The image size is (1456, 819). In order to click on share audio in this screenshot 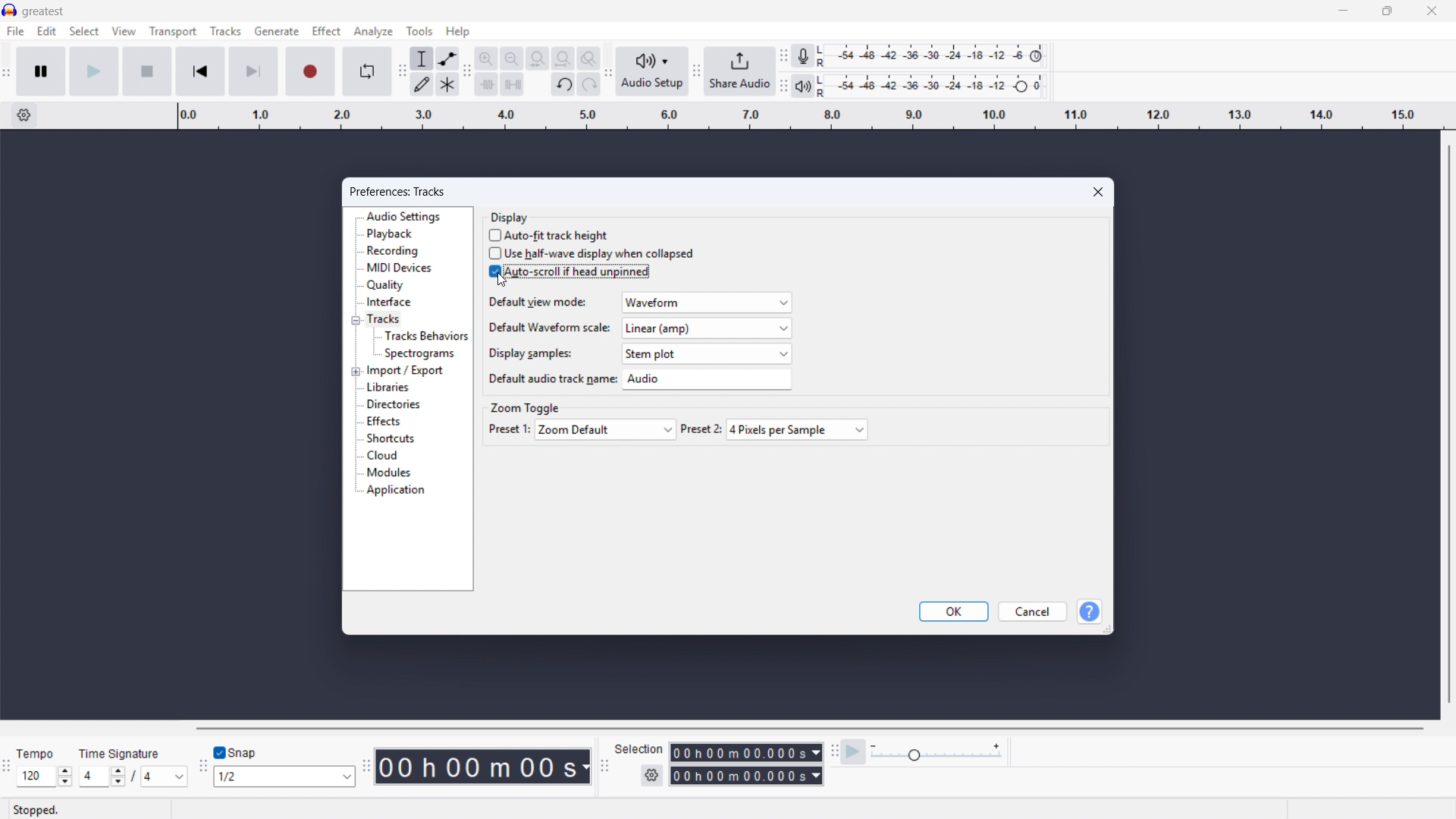, I will do `click(741, 71)`.